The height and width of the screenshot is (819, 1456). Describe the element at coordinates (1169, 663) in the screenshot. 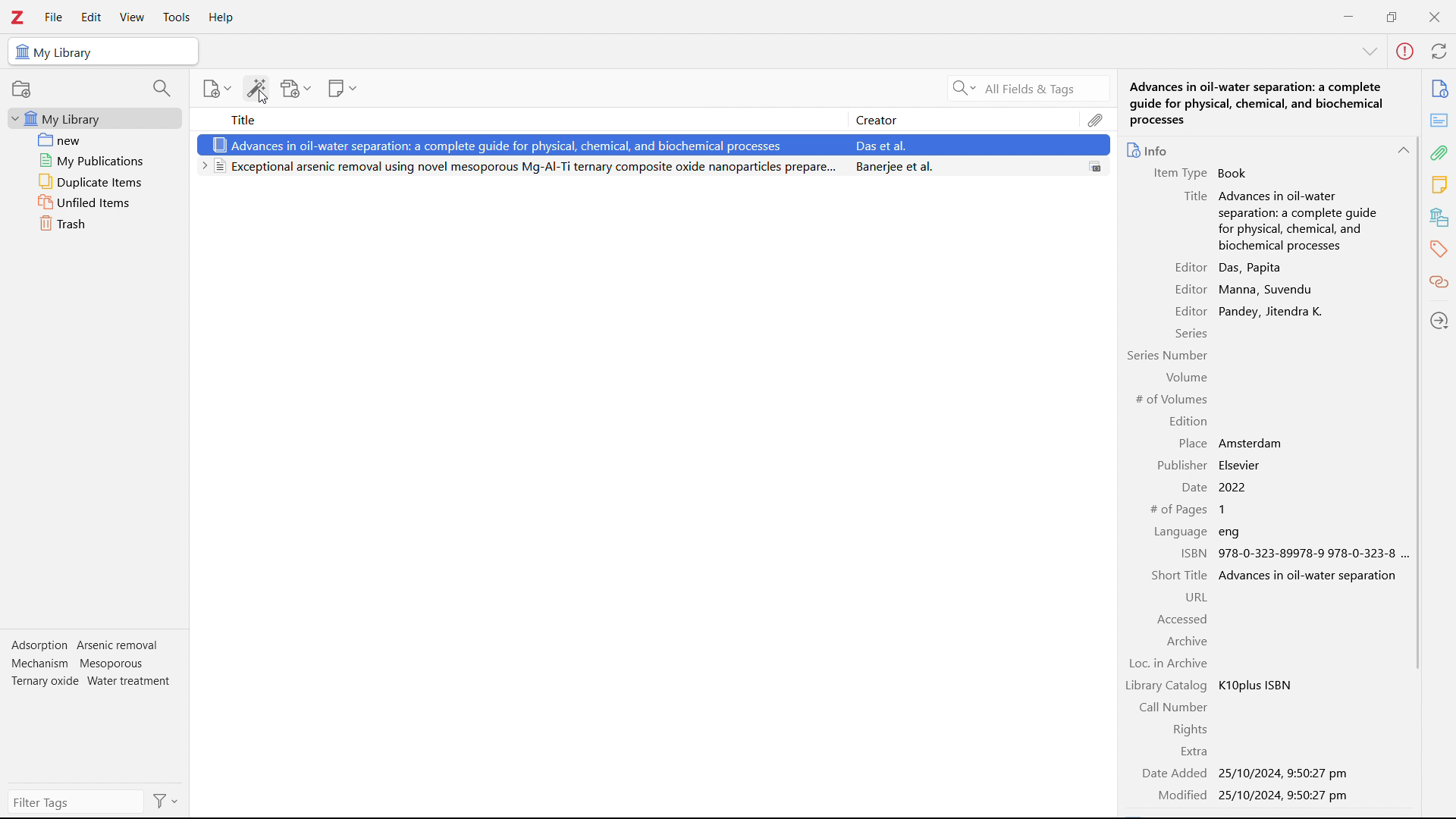

I see `Locate in archive` at that location.